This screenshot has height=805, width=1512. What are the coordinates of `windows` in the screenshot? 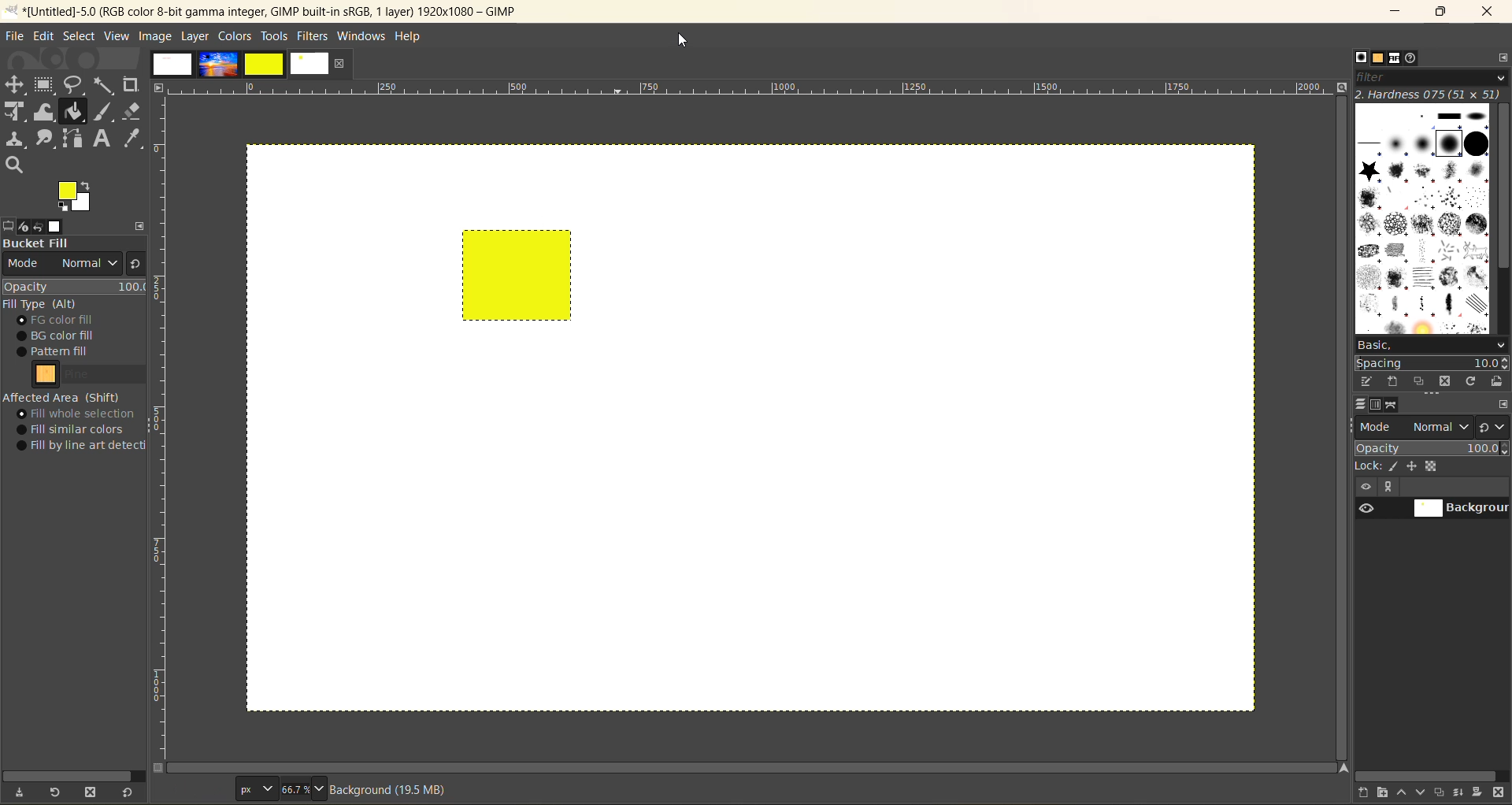 It's located at (363, 36).